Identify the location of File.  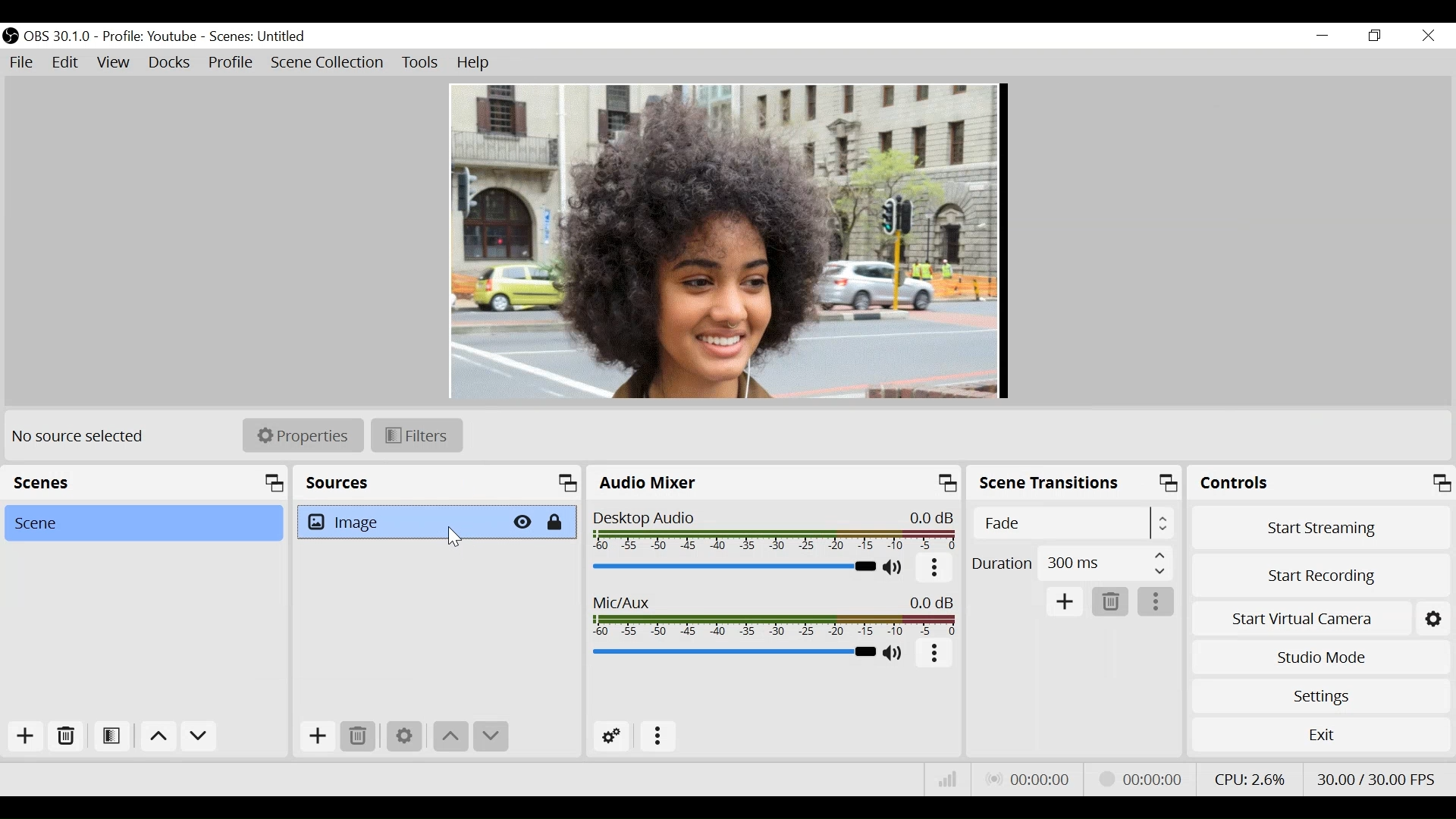
(21, 64).